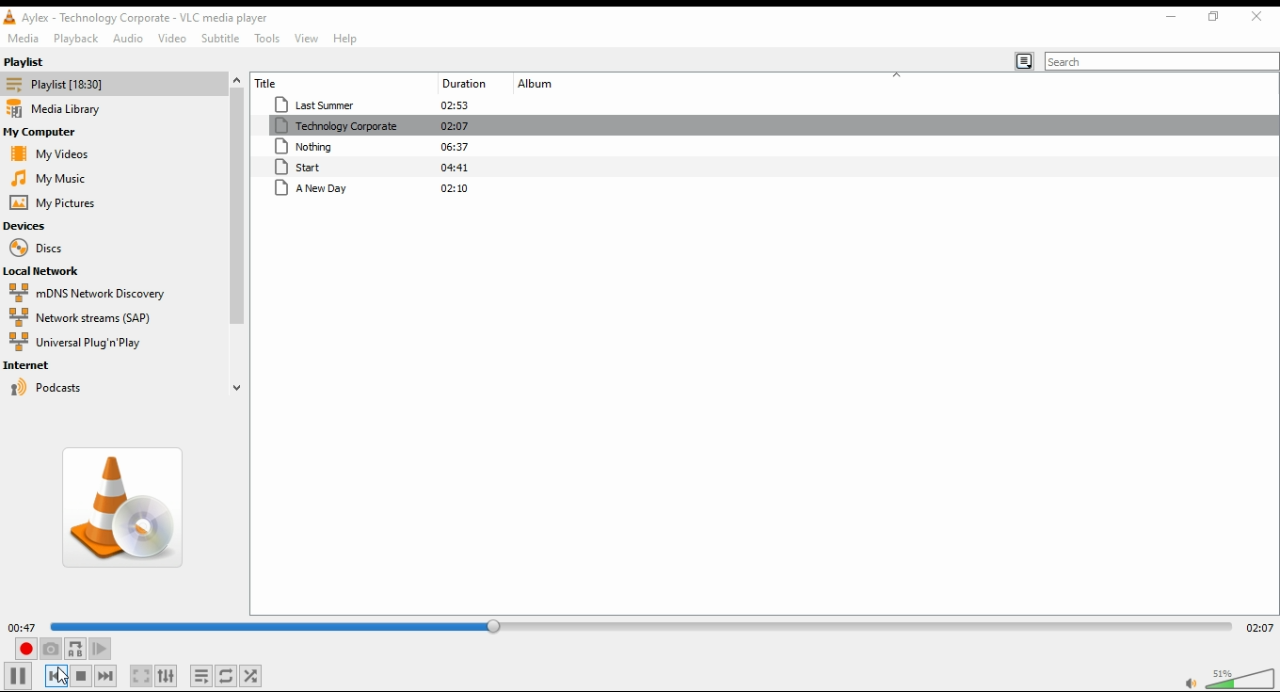  What do you see at coordinates (54, 203) in the screenshot?
I see `my pictures` at bounding box center [54, 203].